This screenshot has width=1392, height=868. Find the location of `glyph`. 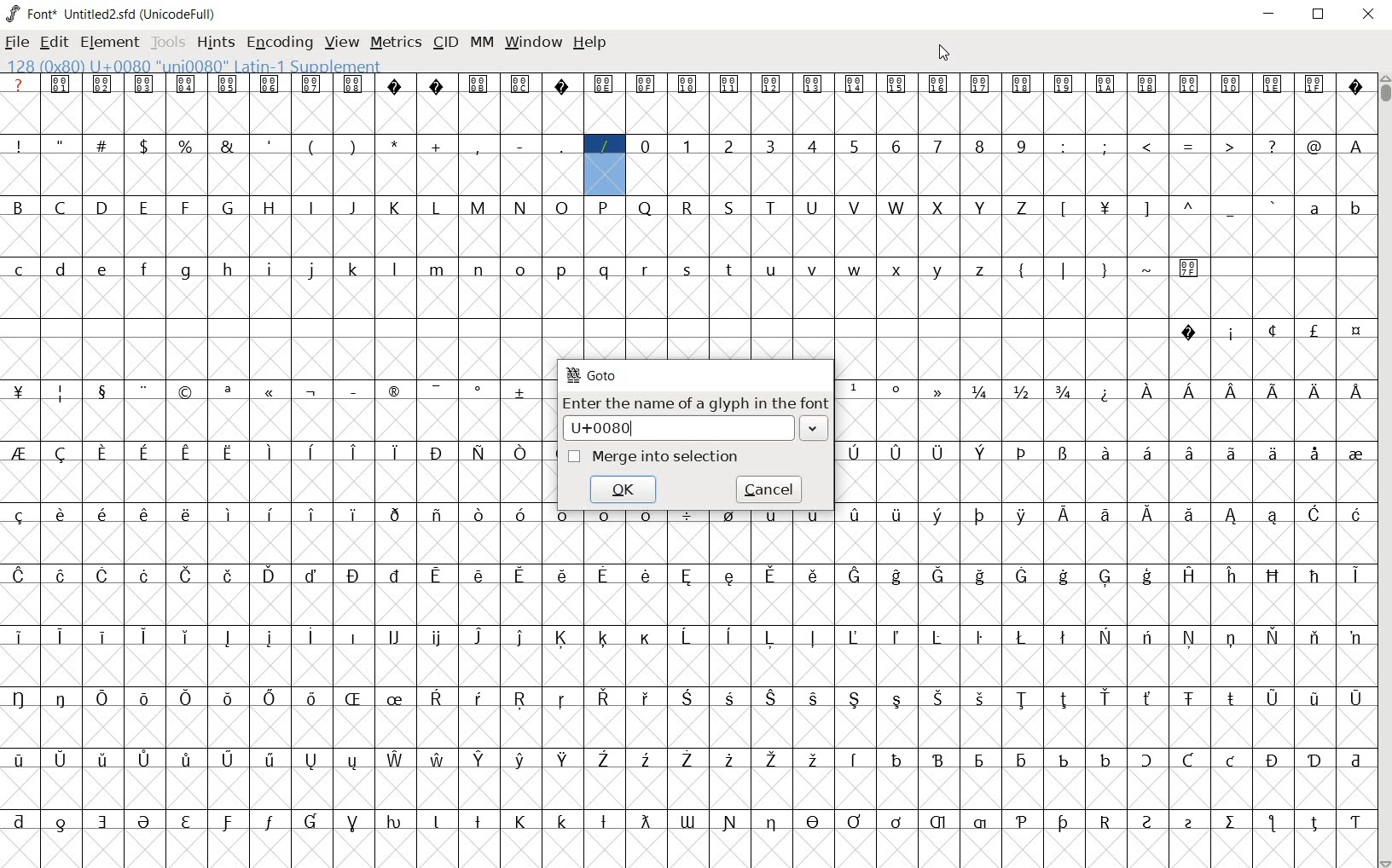

glyph is located at coordinates (230, 514).